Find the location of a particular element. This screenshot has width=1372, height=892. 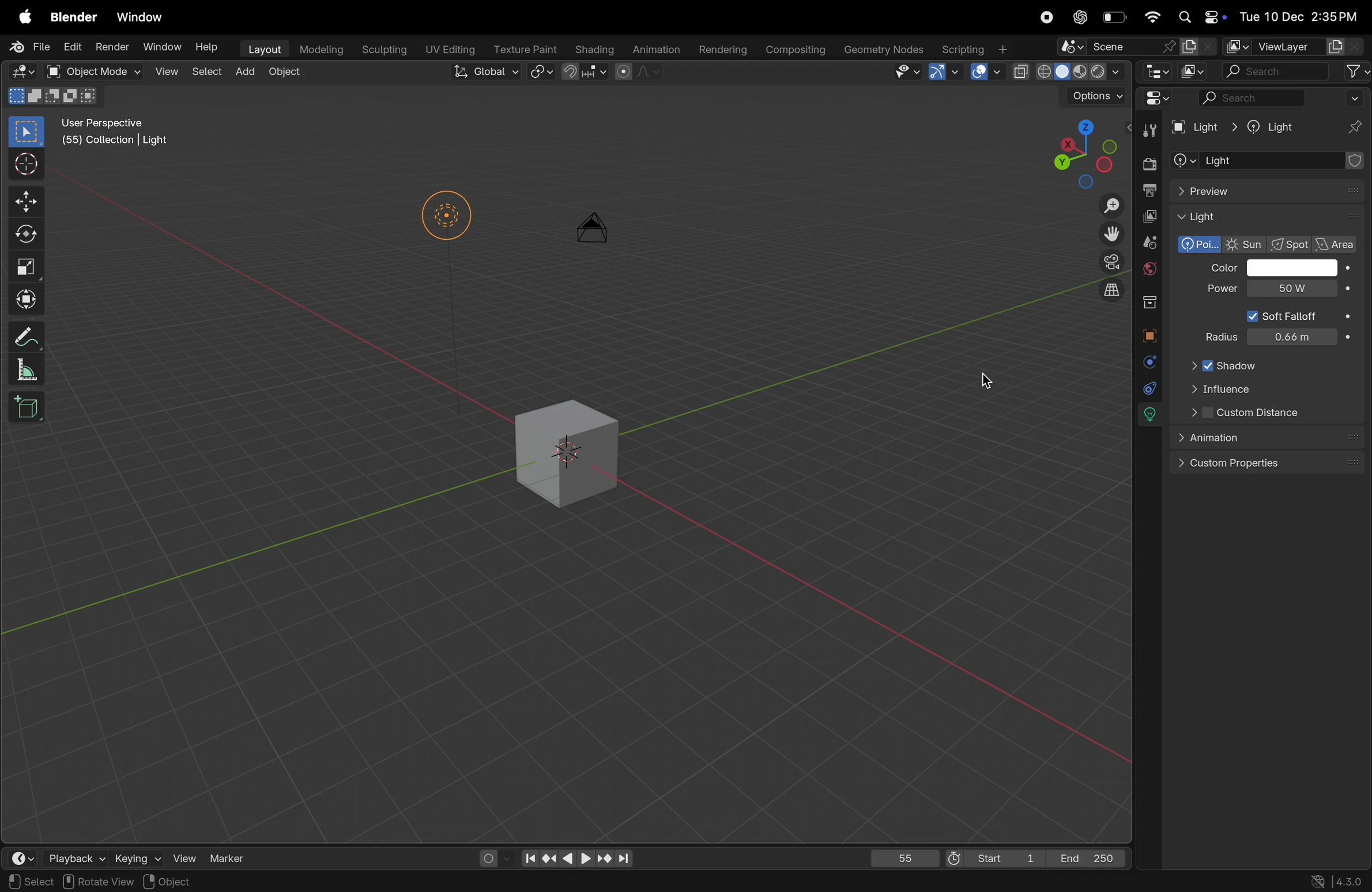

window is located at coordinates (142, 17).